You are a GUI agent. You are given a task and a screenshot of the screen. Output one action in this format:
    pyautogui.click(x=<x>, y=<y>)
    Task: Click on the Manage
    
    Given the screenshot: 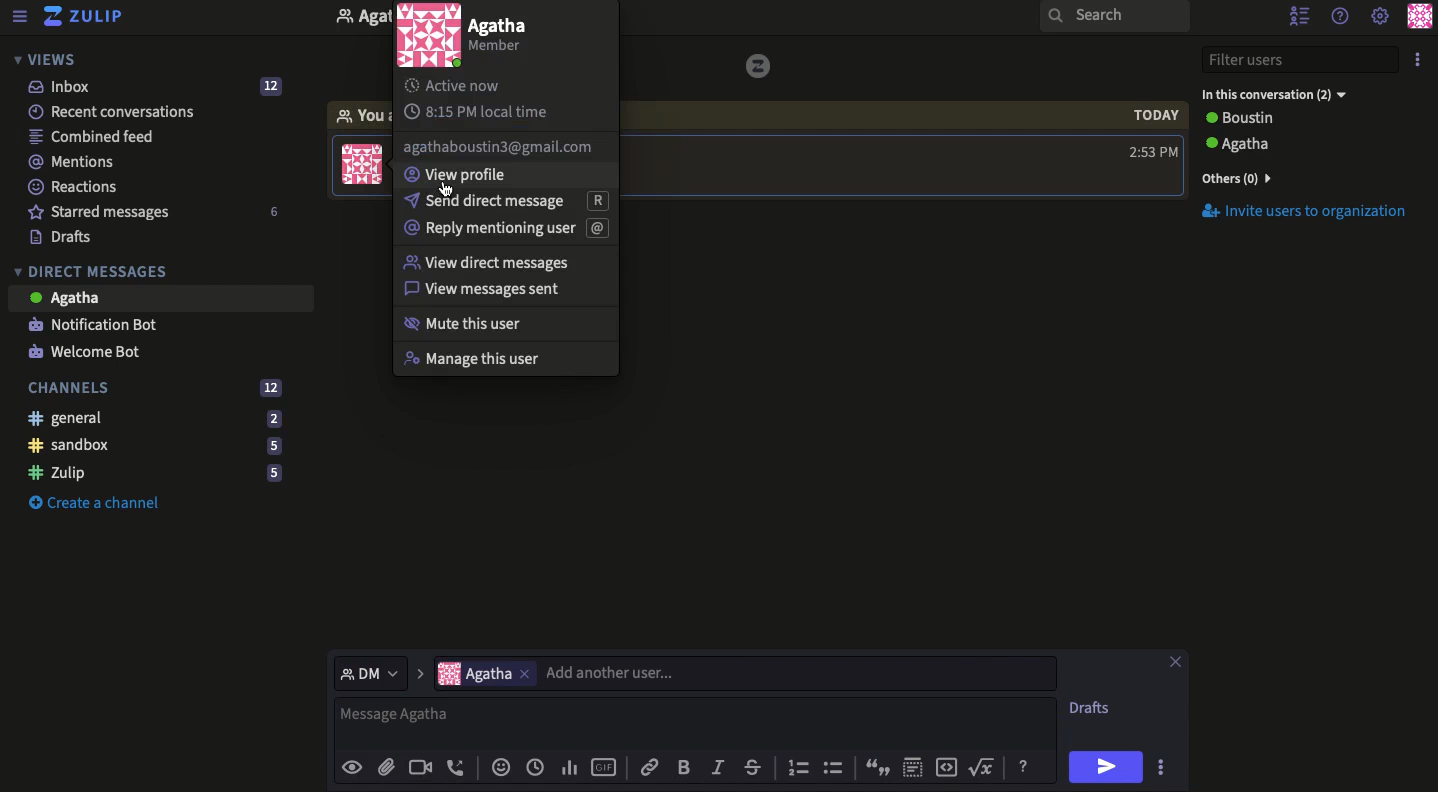 What is the action you would take?
    pyautogui.click(x=474, y=359)
    